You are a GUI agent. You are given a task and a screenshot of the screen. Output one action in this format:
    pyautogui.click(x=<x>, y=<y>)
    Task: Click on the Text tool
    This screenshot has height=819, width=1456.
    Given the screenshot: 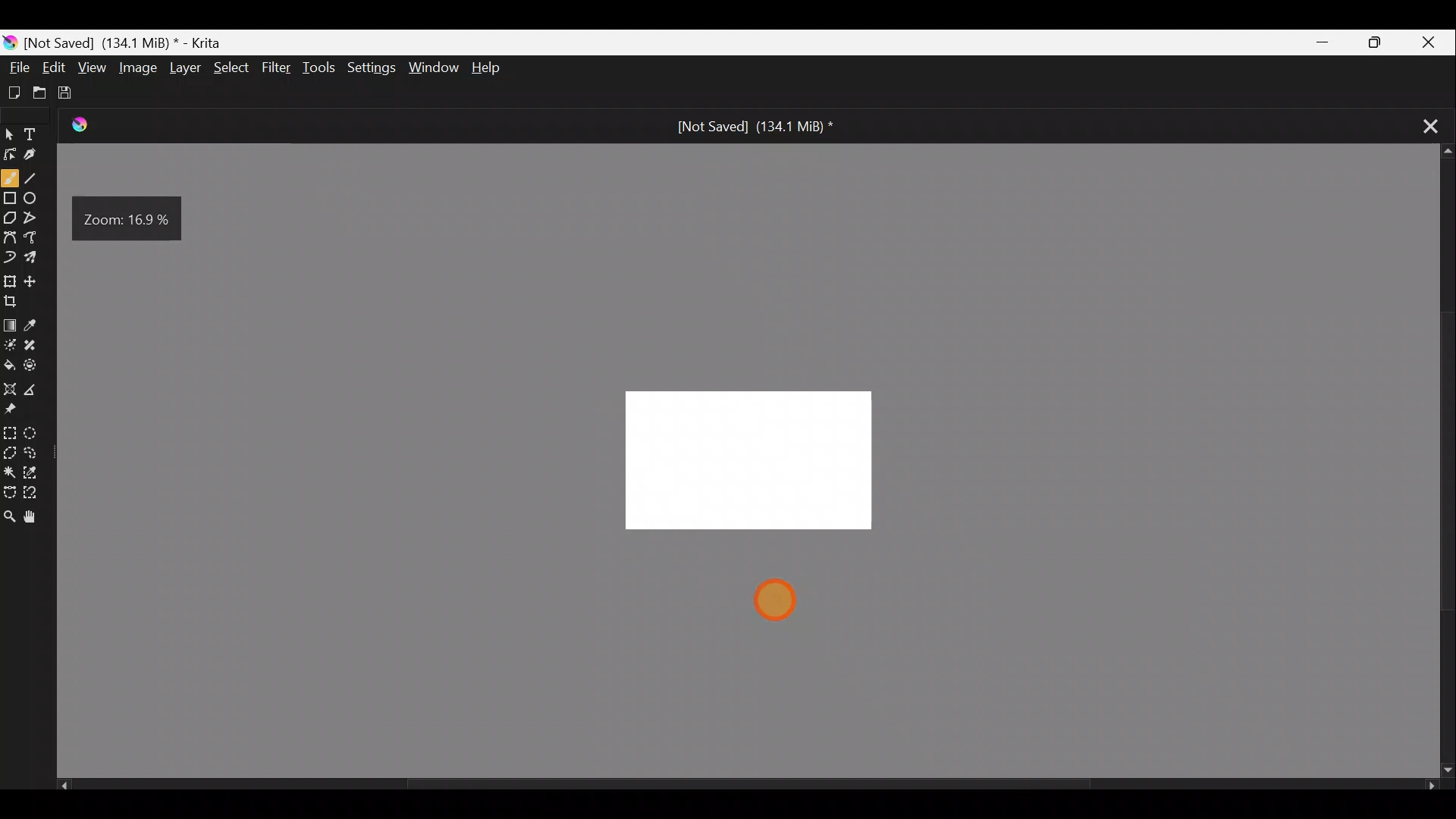 What is the action you would take?
    pyautogui.click(x=39, y=129)
    